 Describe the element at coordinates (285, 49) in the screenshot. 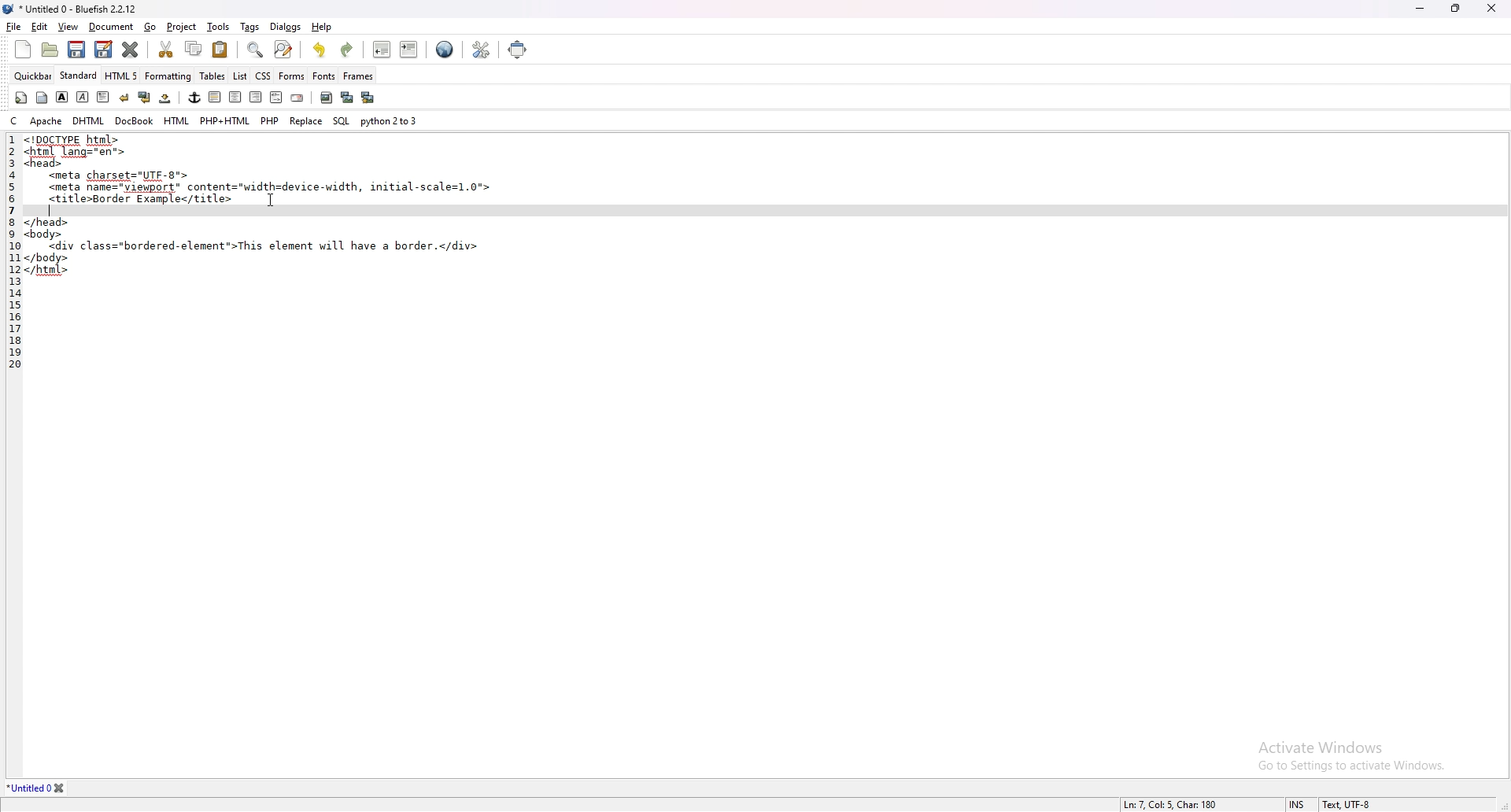

I see `advanced find and replace` at that location.